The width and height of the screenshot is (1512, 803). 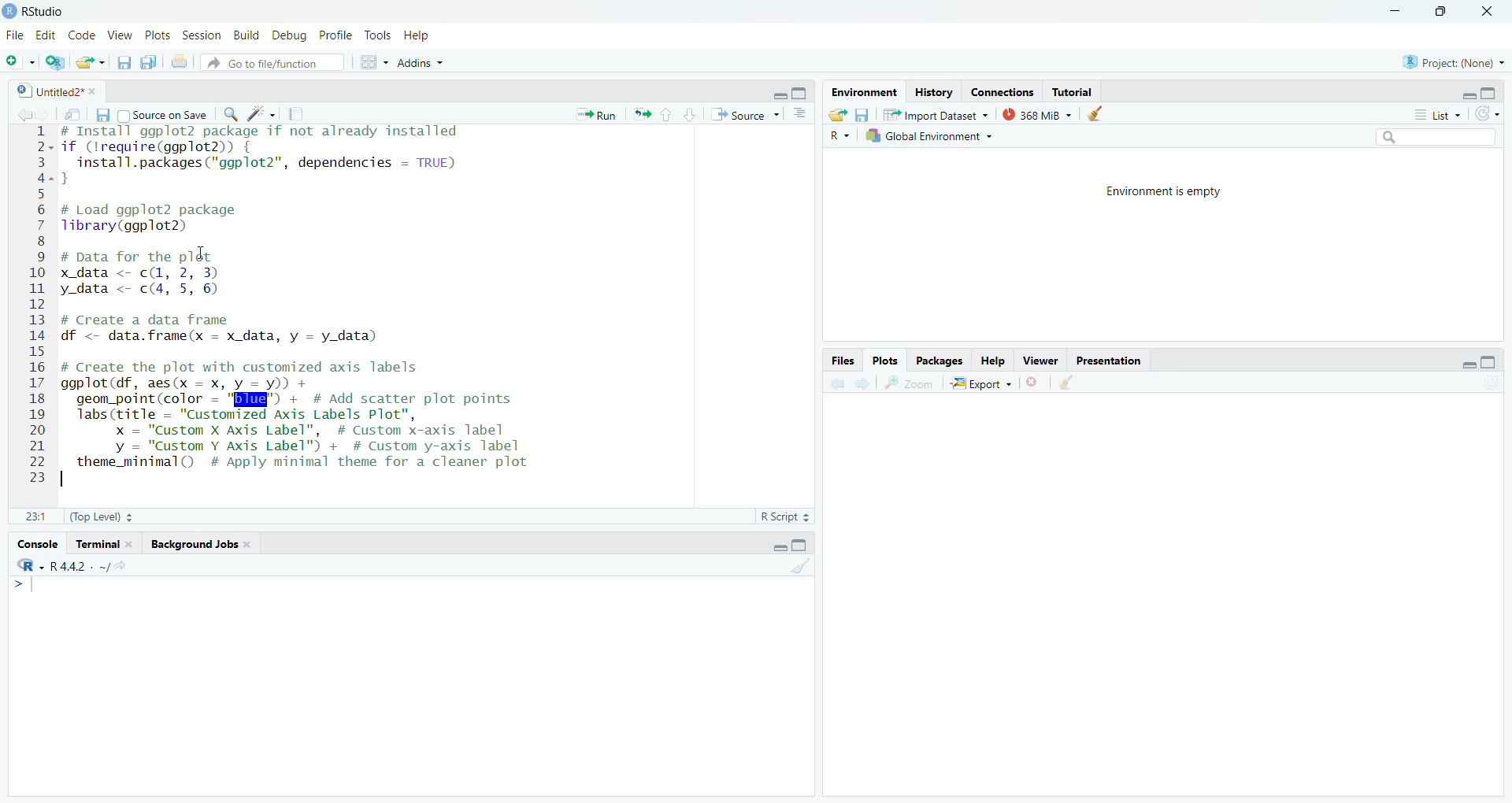 What do you see at coordinates (106, 116) in the screenshot?
I see `save` at bounding box center [106, 116].